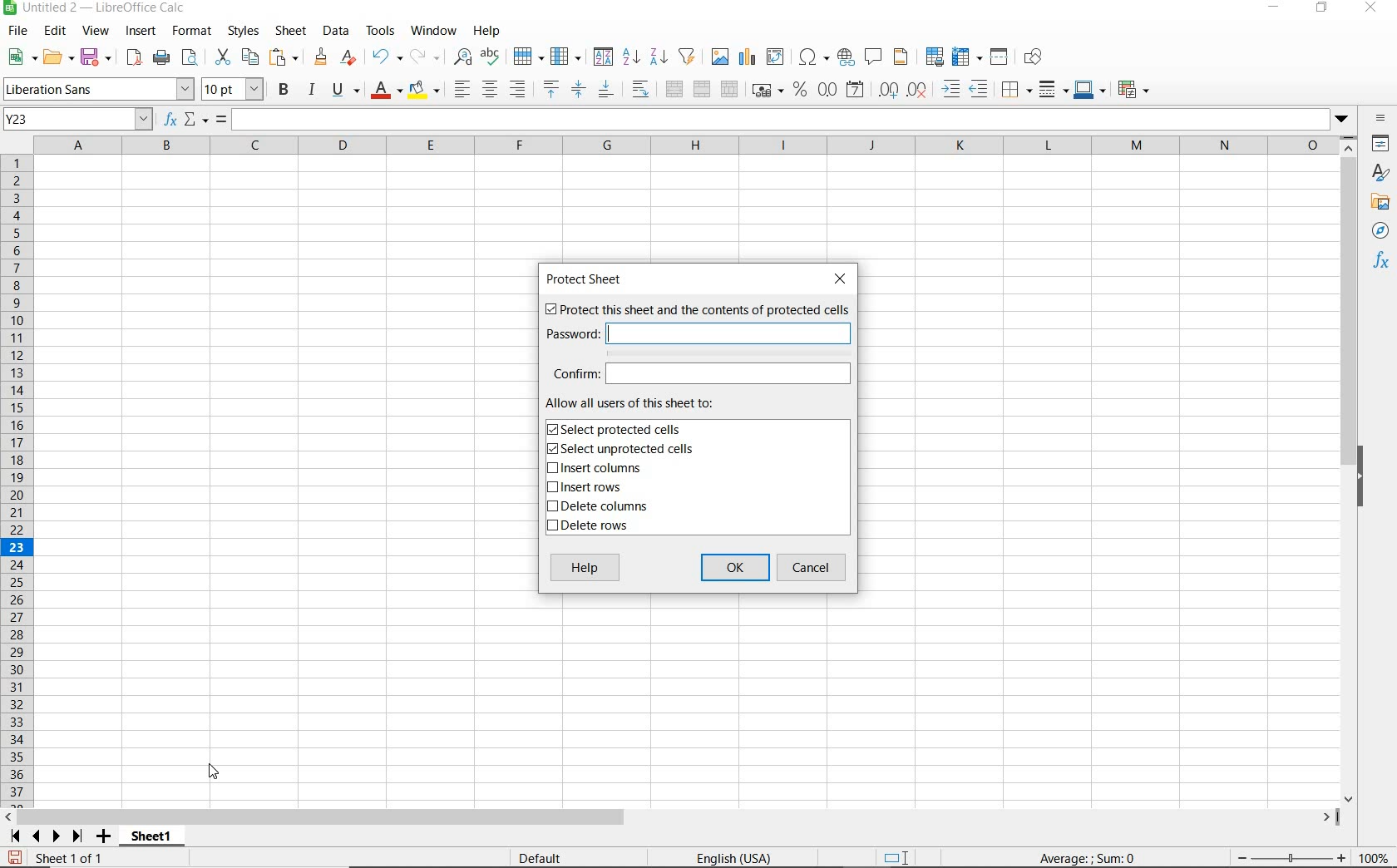 The width and height of the screenshot is (1397, 868). What do you see at coordinates (854, 90) in the screenshot?
I see `FORMAT AS DATE` at bounding box center [854, 90].